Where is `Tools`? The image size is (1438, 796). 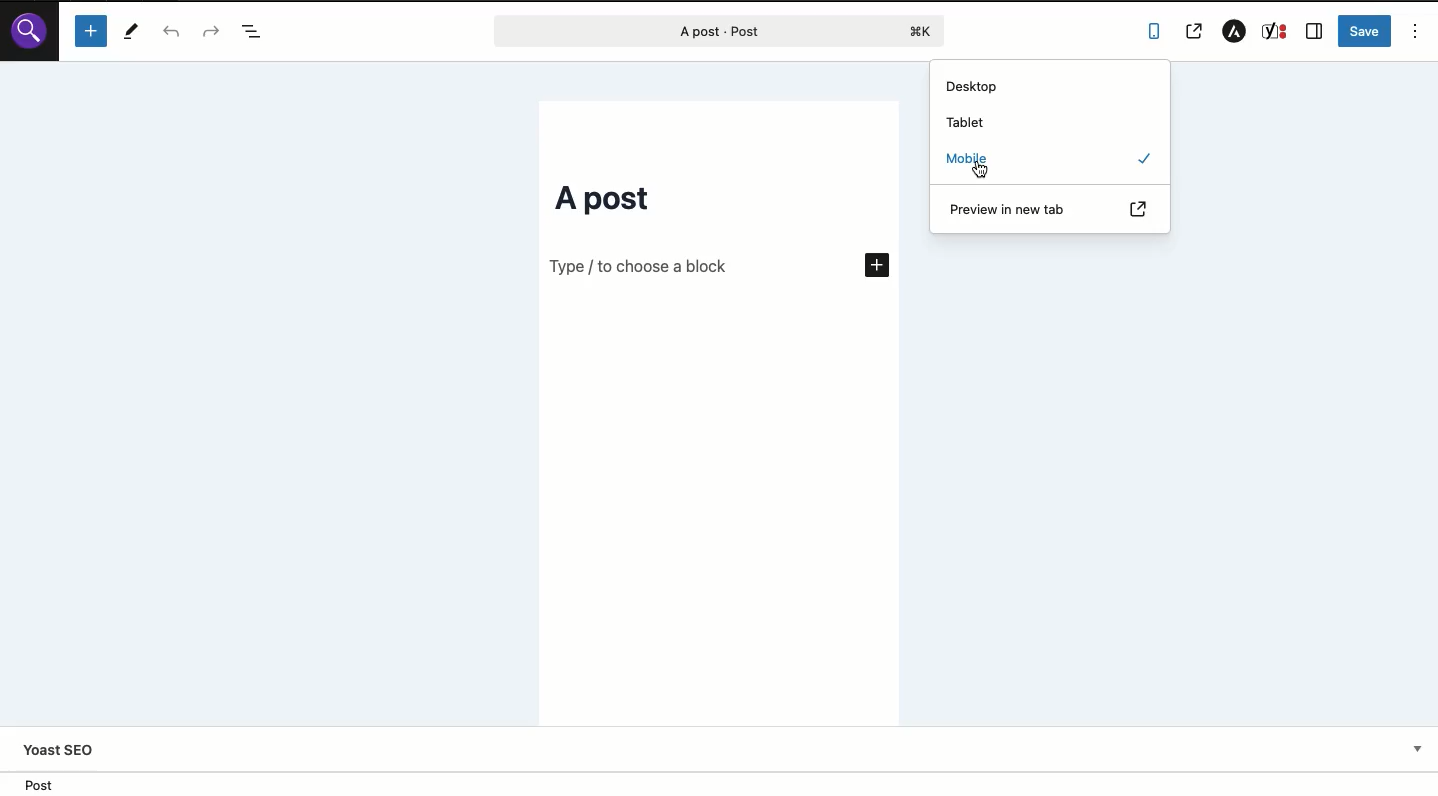
Tools is located at coordinates (130, 32).